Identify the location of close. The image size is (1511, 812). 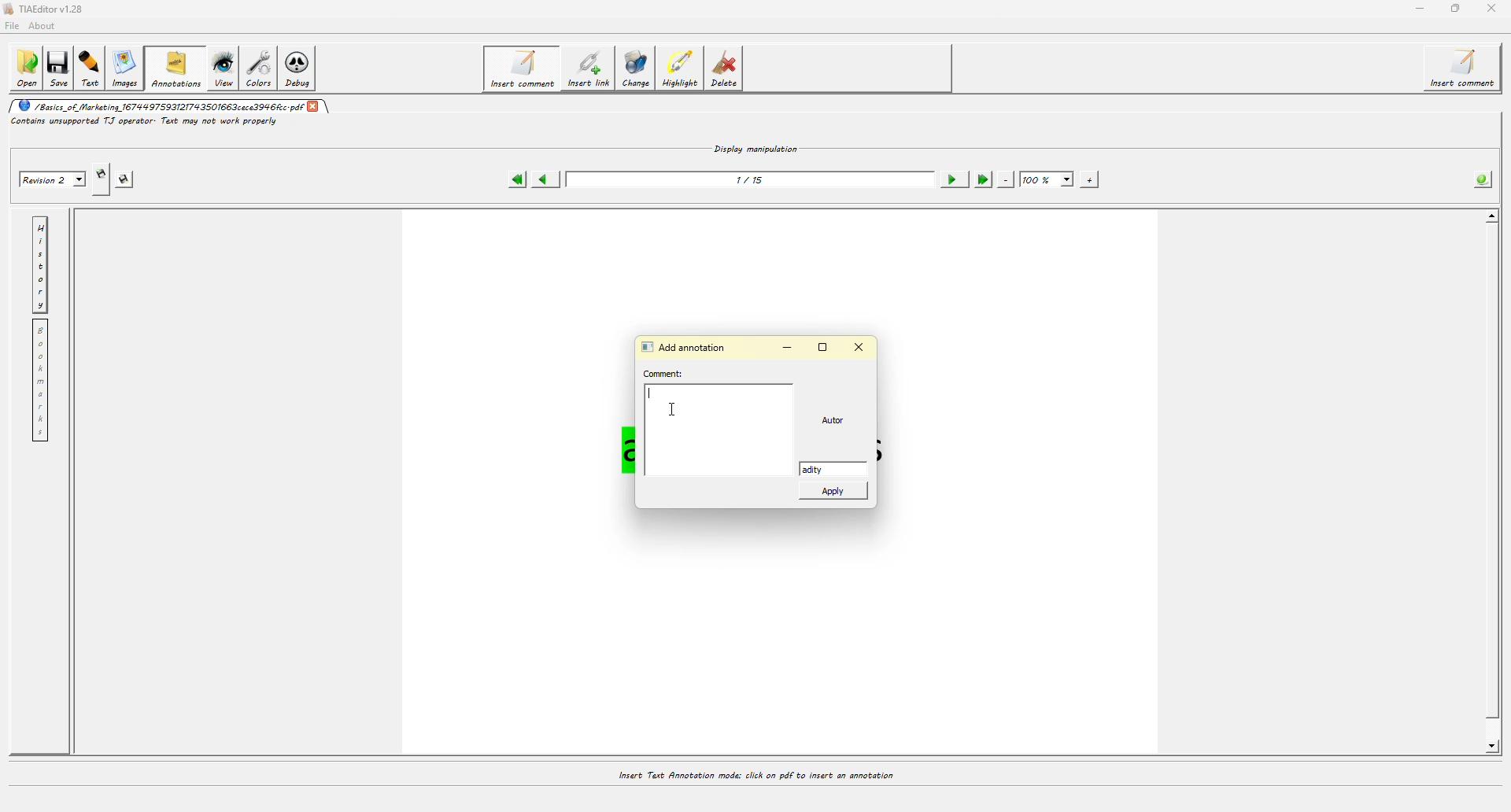
(859, 346).